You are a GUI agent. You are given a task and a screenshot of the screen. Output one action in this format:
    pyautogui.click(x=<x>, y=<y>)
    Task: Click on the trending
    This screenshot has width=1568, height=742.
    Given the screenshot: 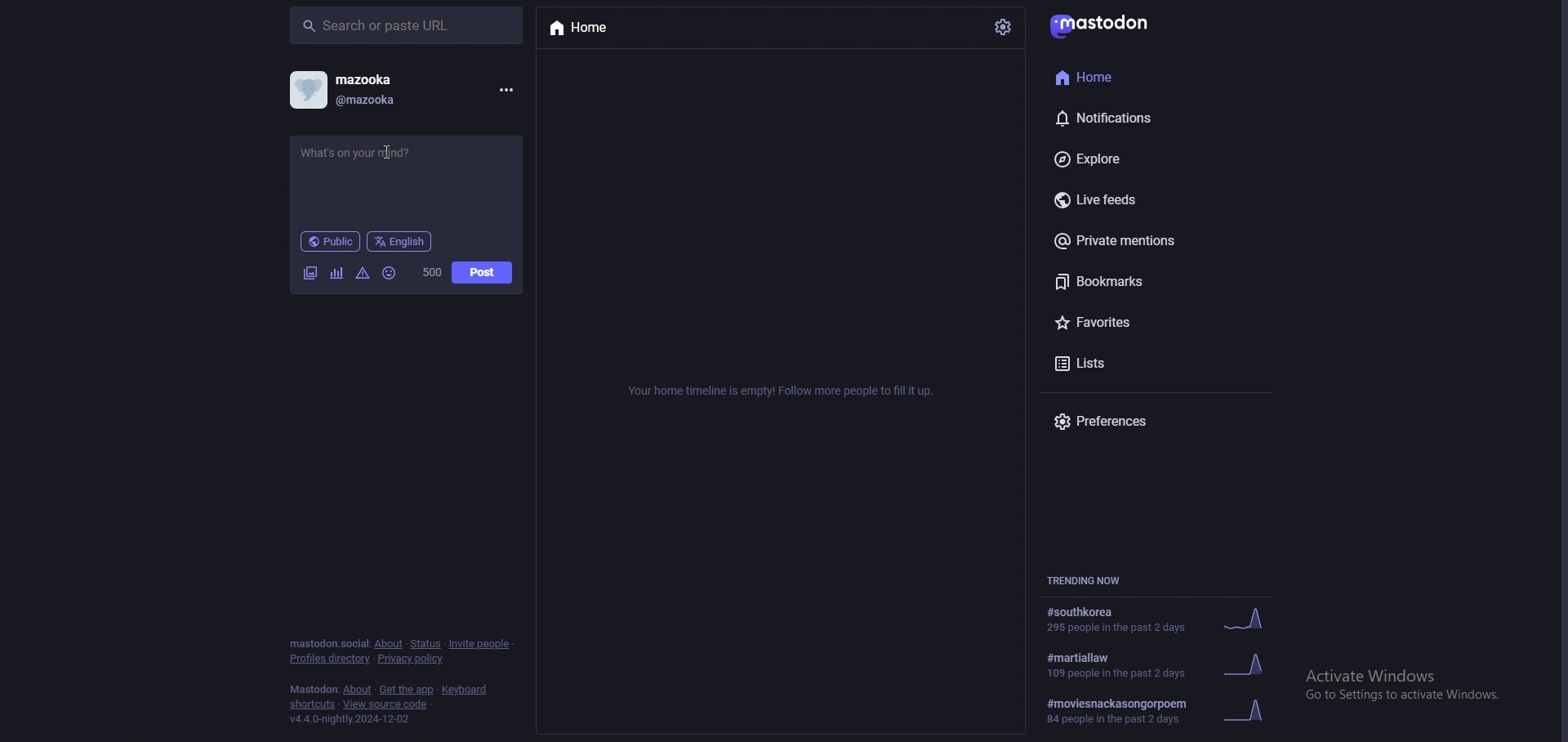 What is the action you would take?
    pyautogui.click(x=1158, y=619)
    